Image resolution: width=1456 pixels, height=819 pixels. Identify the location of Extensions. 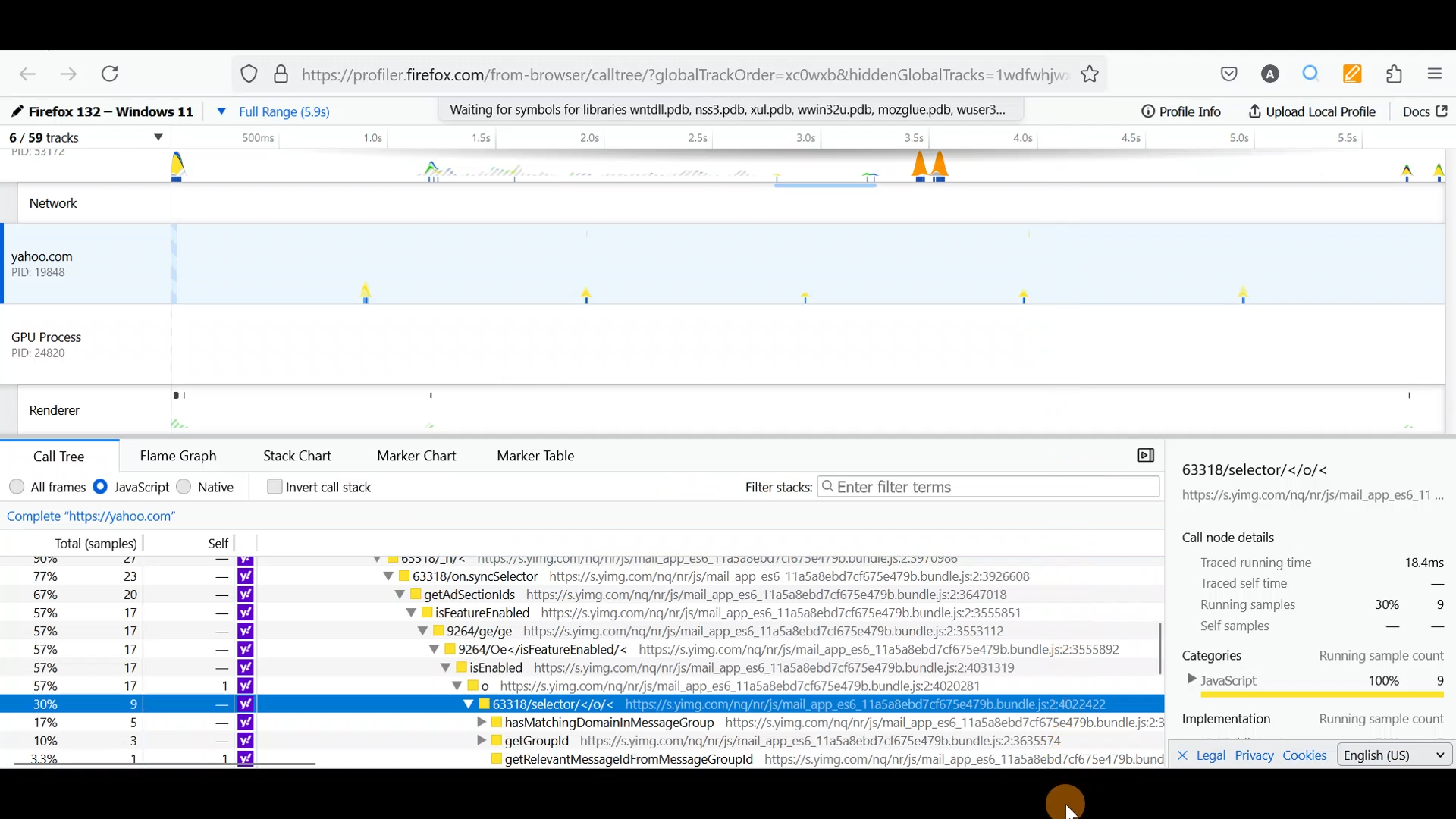
(1399, 76).